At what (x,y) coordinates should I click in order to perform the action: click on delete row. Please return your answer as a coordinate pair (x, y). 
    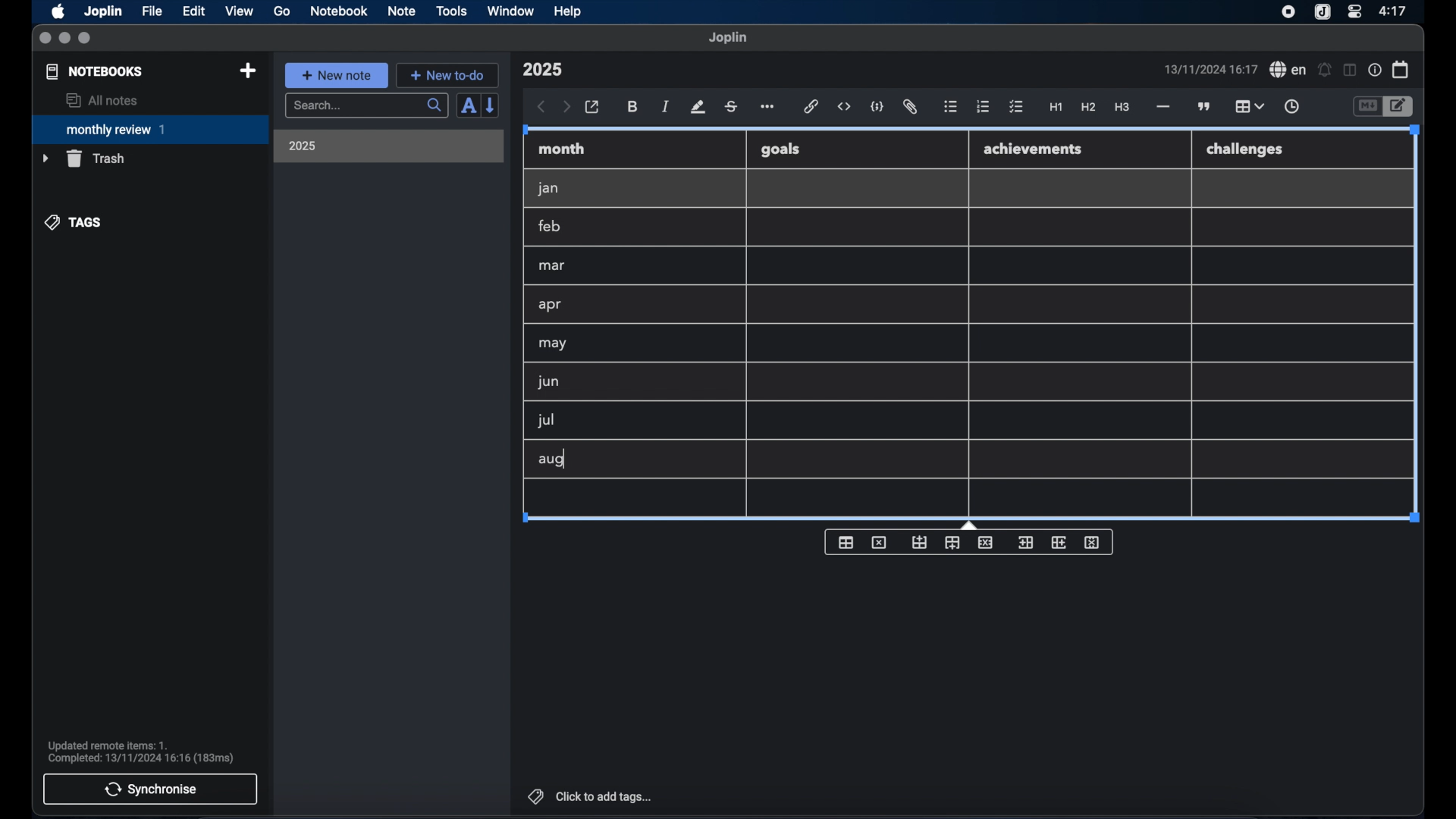
    Looking at the image, I should click on (987, 541).